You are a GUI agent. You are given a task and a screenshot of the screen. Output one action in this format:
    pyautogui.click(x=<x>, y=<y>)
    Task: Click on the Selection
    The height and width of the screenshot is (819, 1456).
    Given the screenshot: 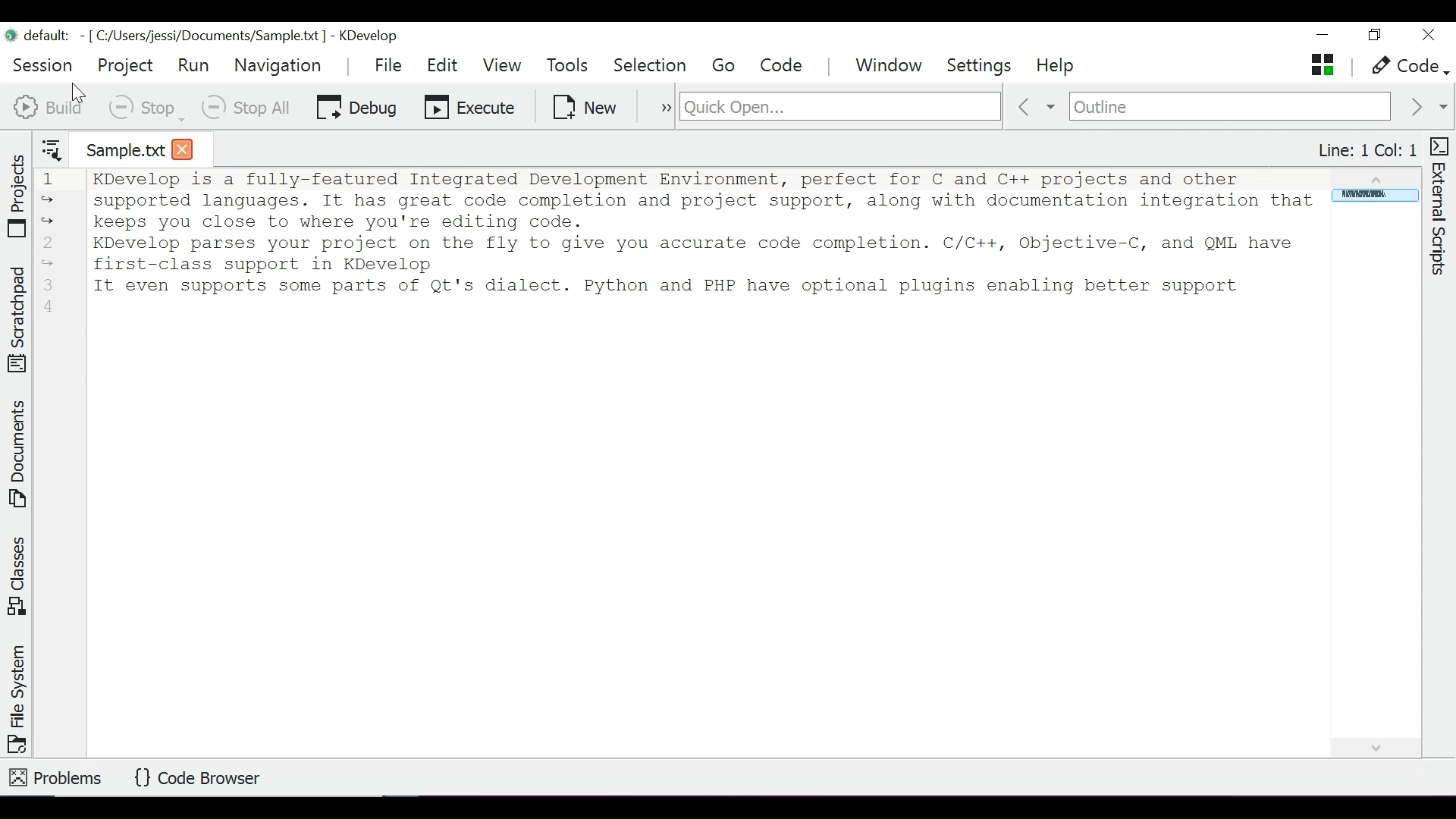 What is the action you would take?
    pyautogui.click(x=652, y=67)
    